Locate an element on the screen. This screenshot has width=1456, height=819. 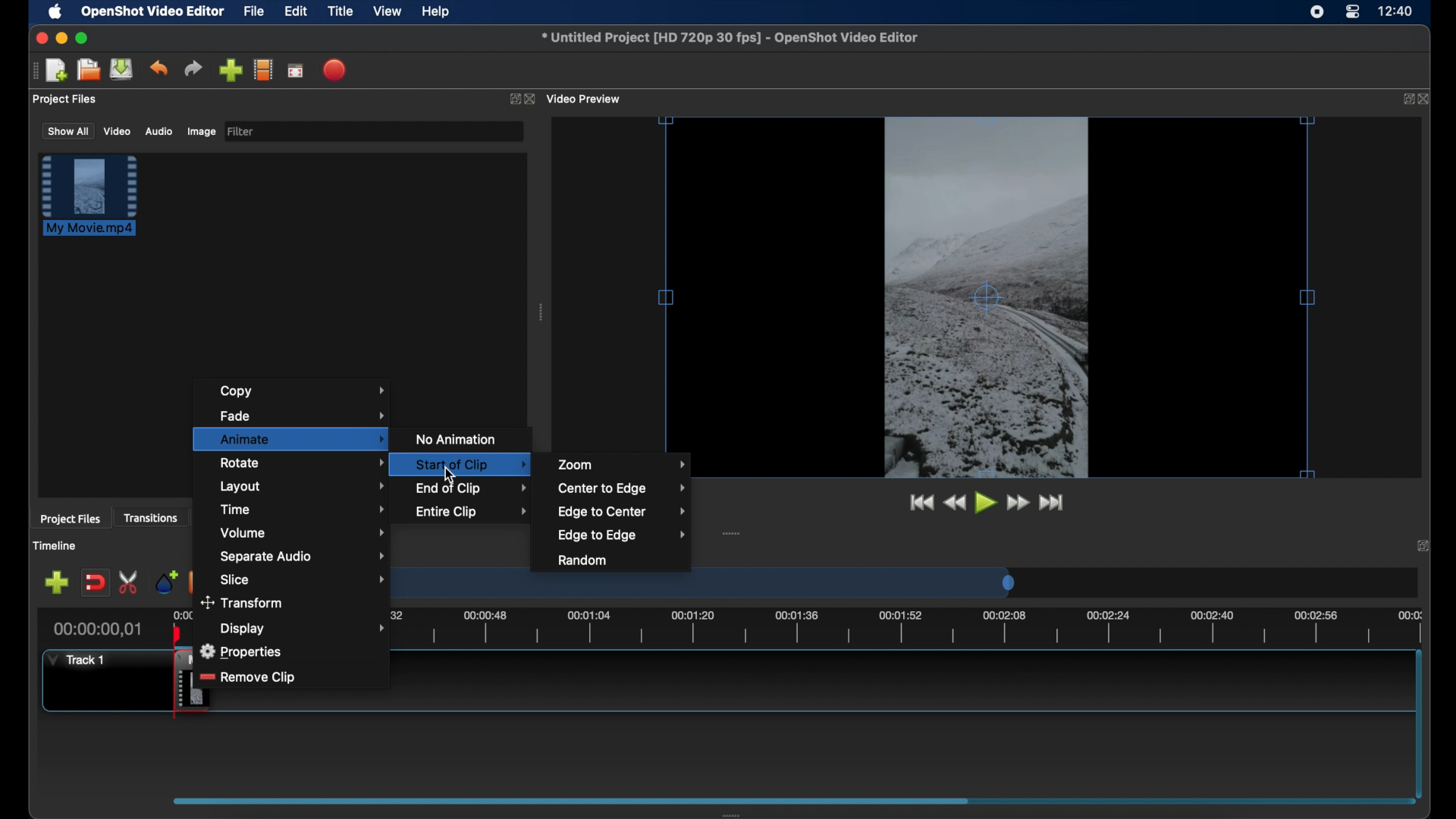
drag handle is located at coordinates (541, 314).